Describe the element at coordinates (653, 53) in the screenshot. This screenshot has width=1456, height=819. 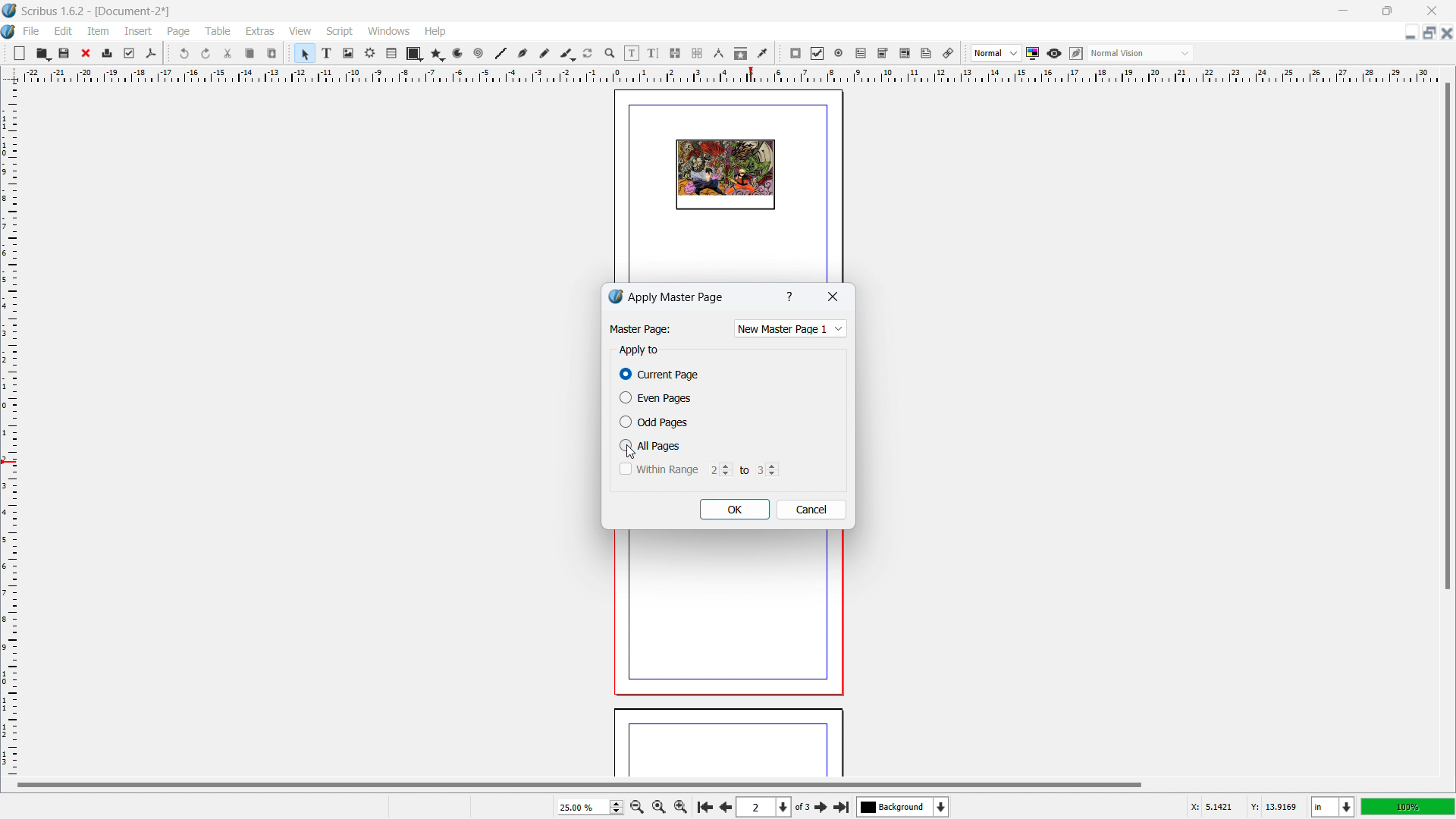
I see `edit text with story editor` at that location.